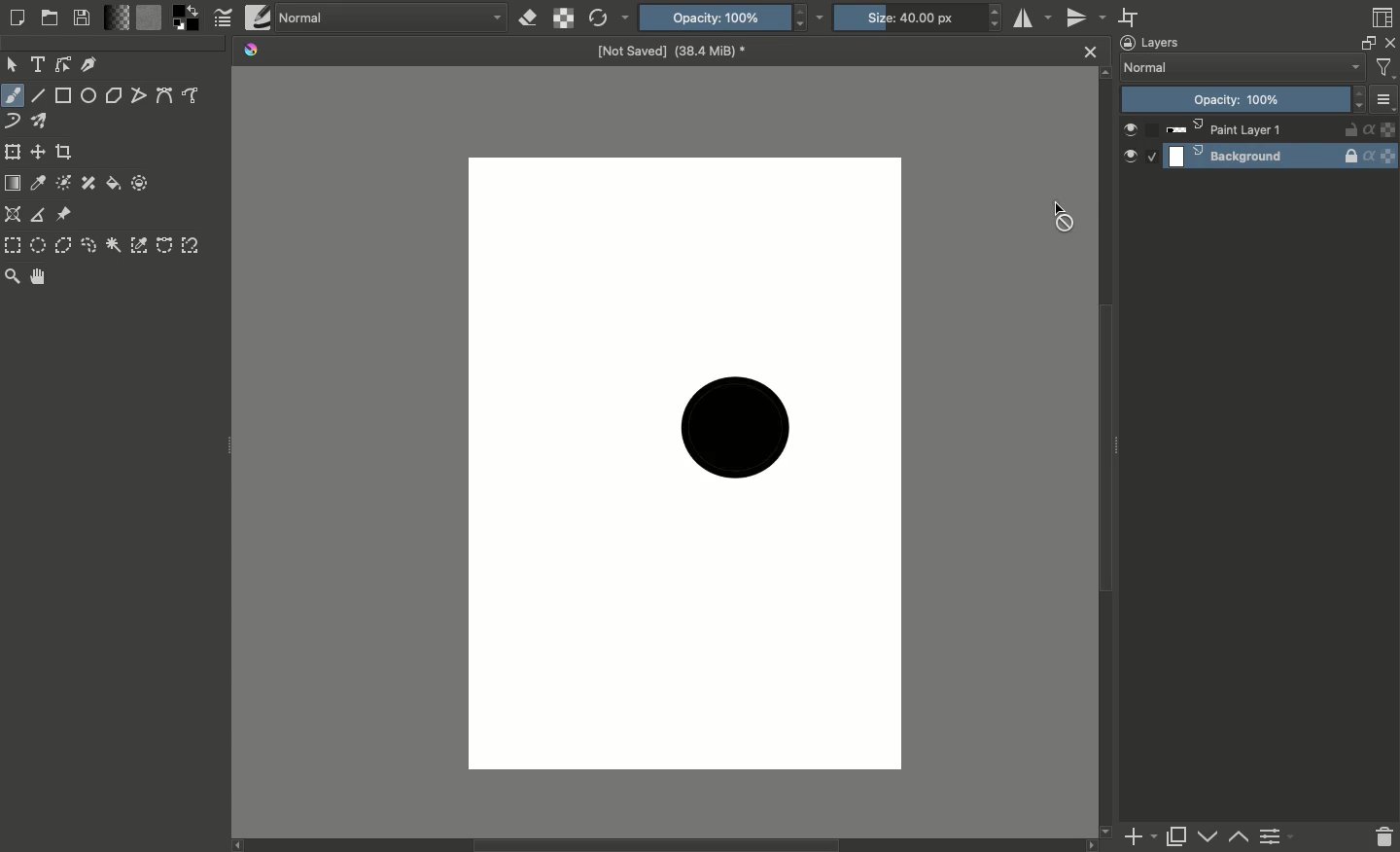 The image size is (1400, 852). I want to click on Normal, so click(1246, 68).